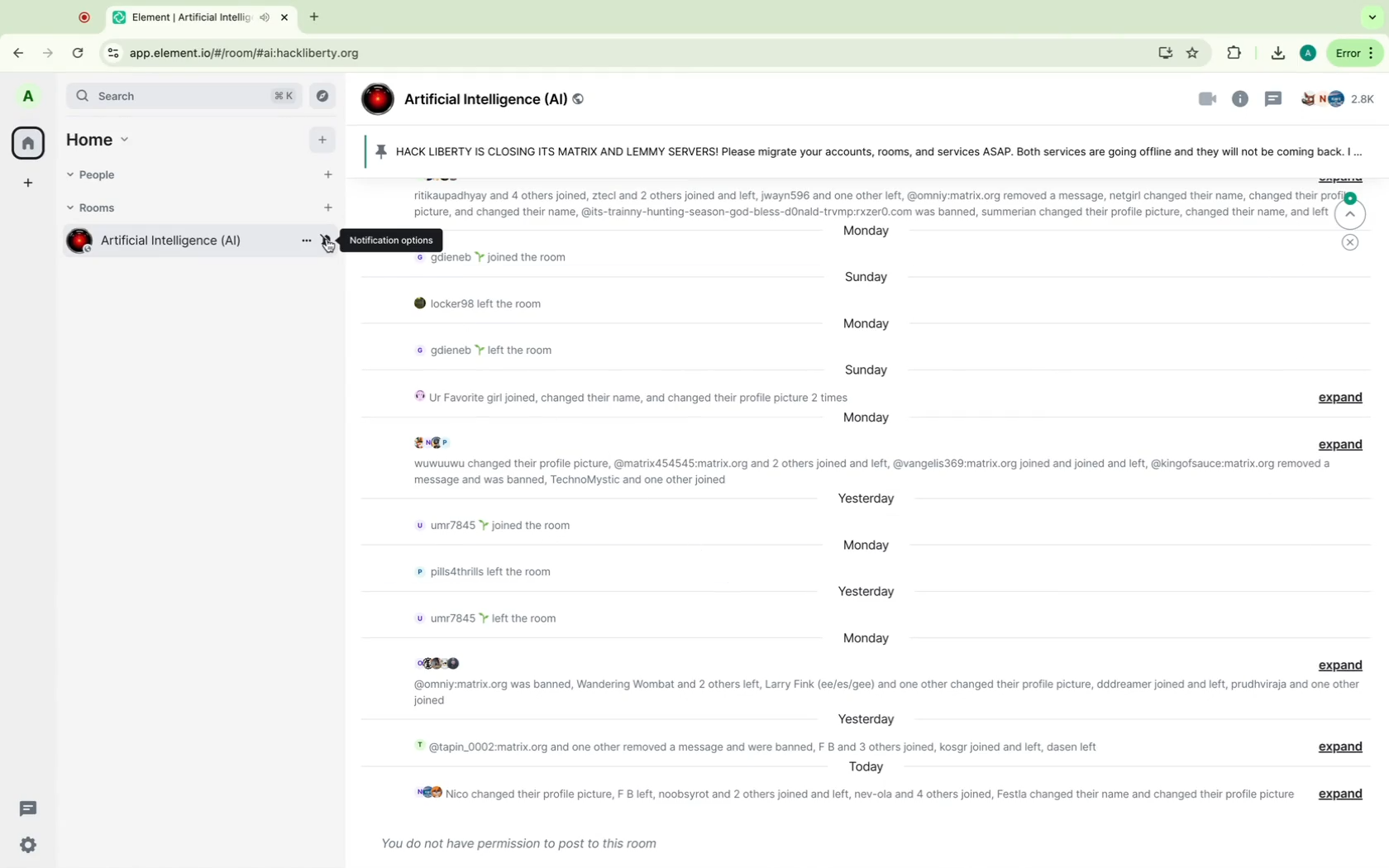  I want to click on day, so click(862, 768).